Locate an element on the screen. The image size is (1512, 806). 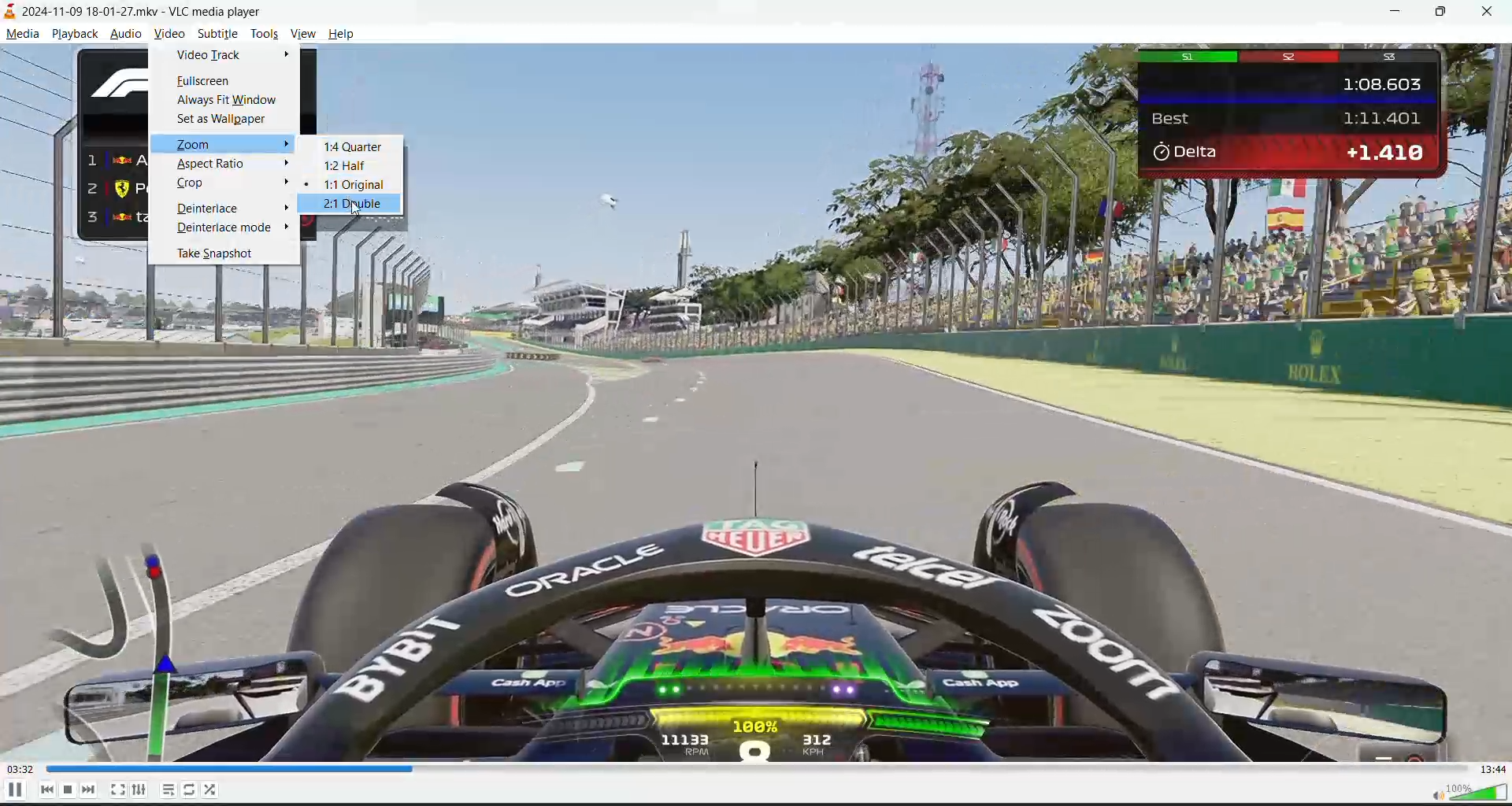
playback is located at coordinates (76, 33).